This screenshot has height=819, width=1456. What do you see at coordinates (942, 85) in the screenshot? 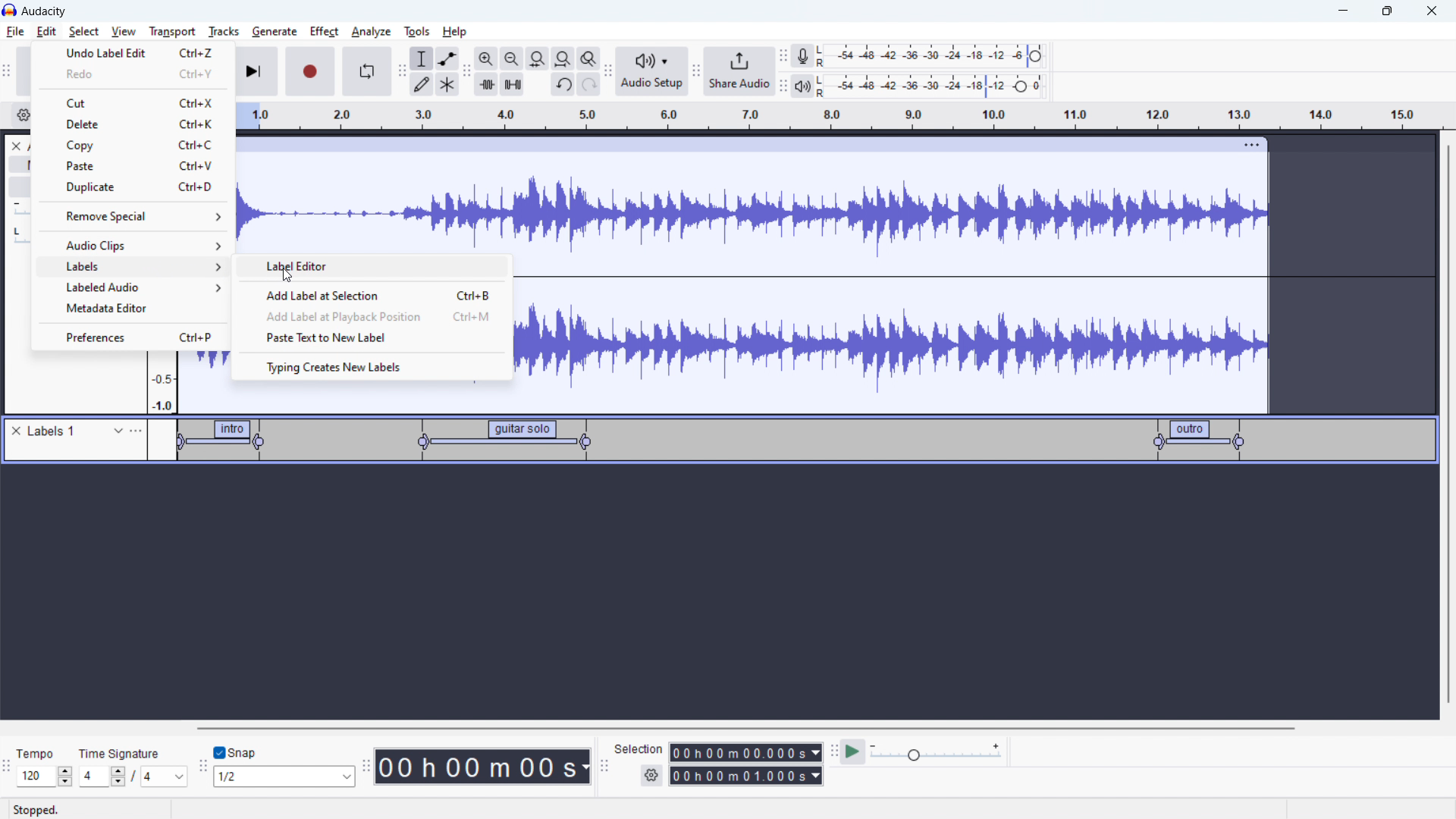
I see `playback level` at bounding box center [942, 85].